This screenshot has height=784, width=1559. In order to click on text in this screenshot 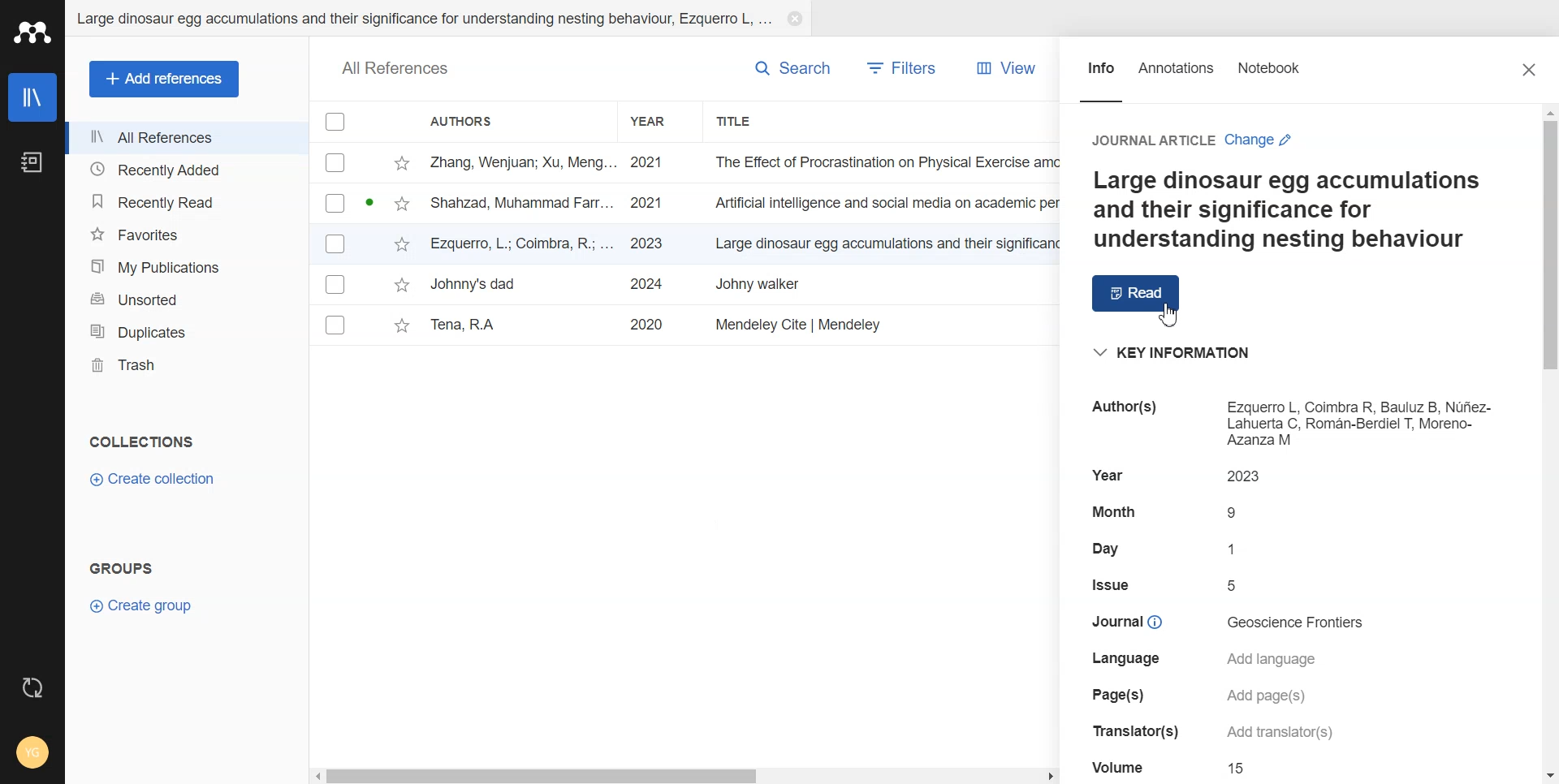, I will do `click(1116, 407)`.